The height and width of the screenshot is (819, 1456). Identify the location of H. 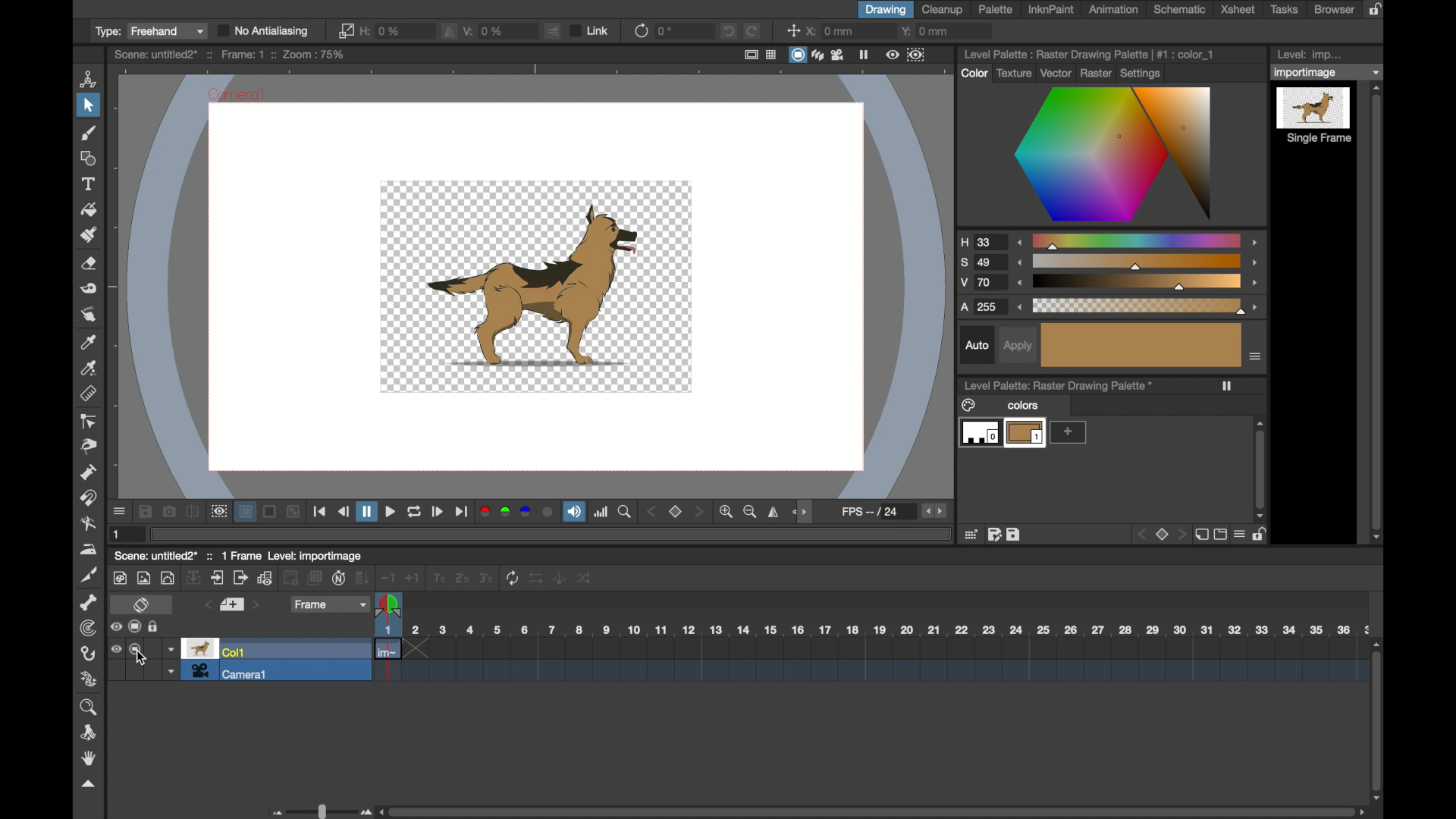
(384, 30).